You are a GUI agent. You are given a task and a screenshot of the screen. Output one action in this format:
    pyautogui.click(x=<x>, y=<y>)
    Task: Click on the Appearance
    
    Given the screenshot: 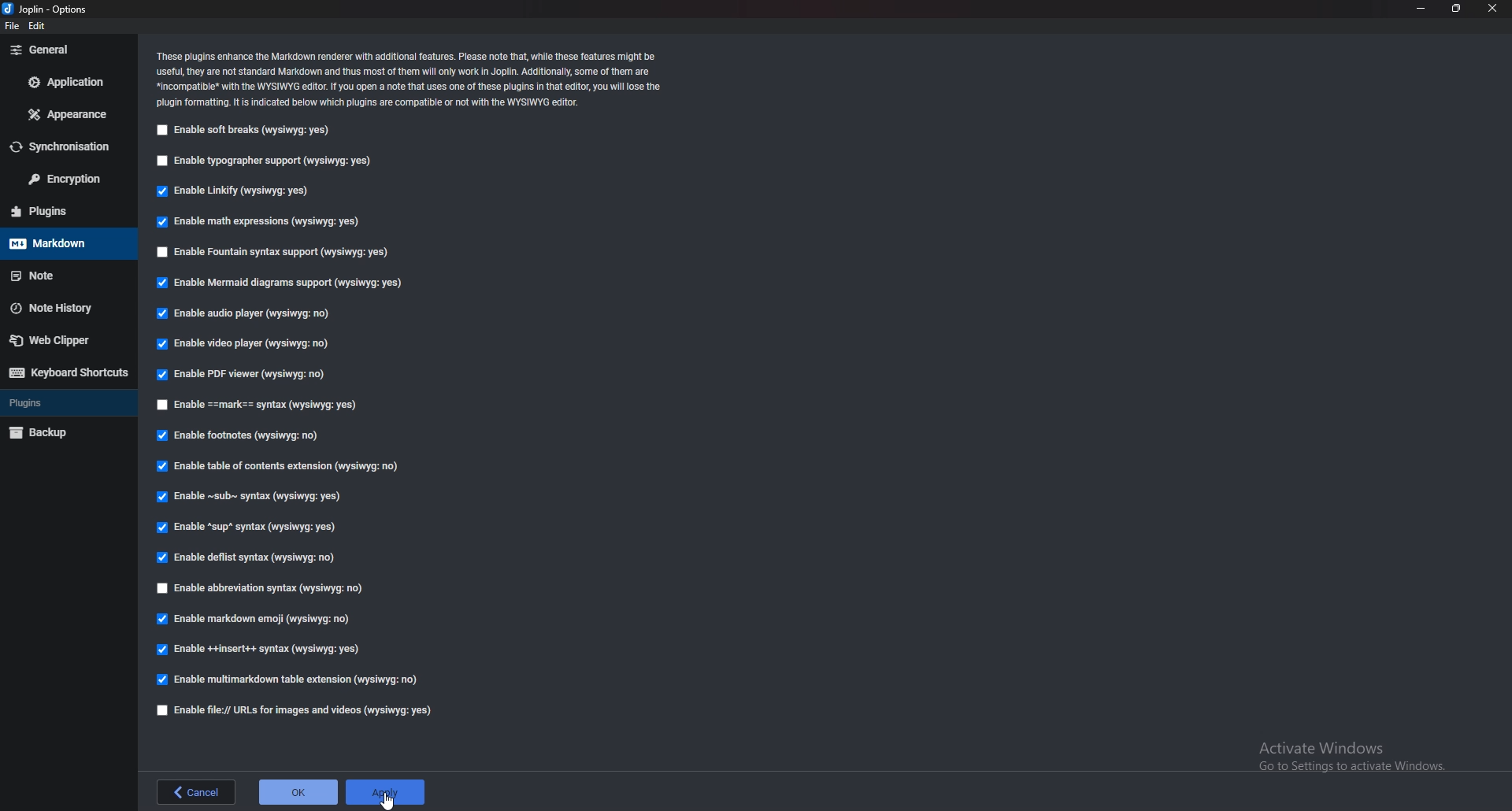 What is the action you would take?
    pyautogui.click(x=69, y=113)
    